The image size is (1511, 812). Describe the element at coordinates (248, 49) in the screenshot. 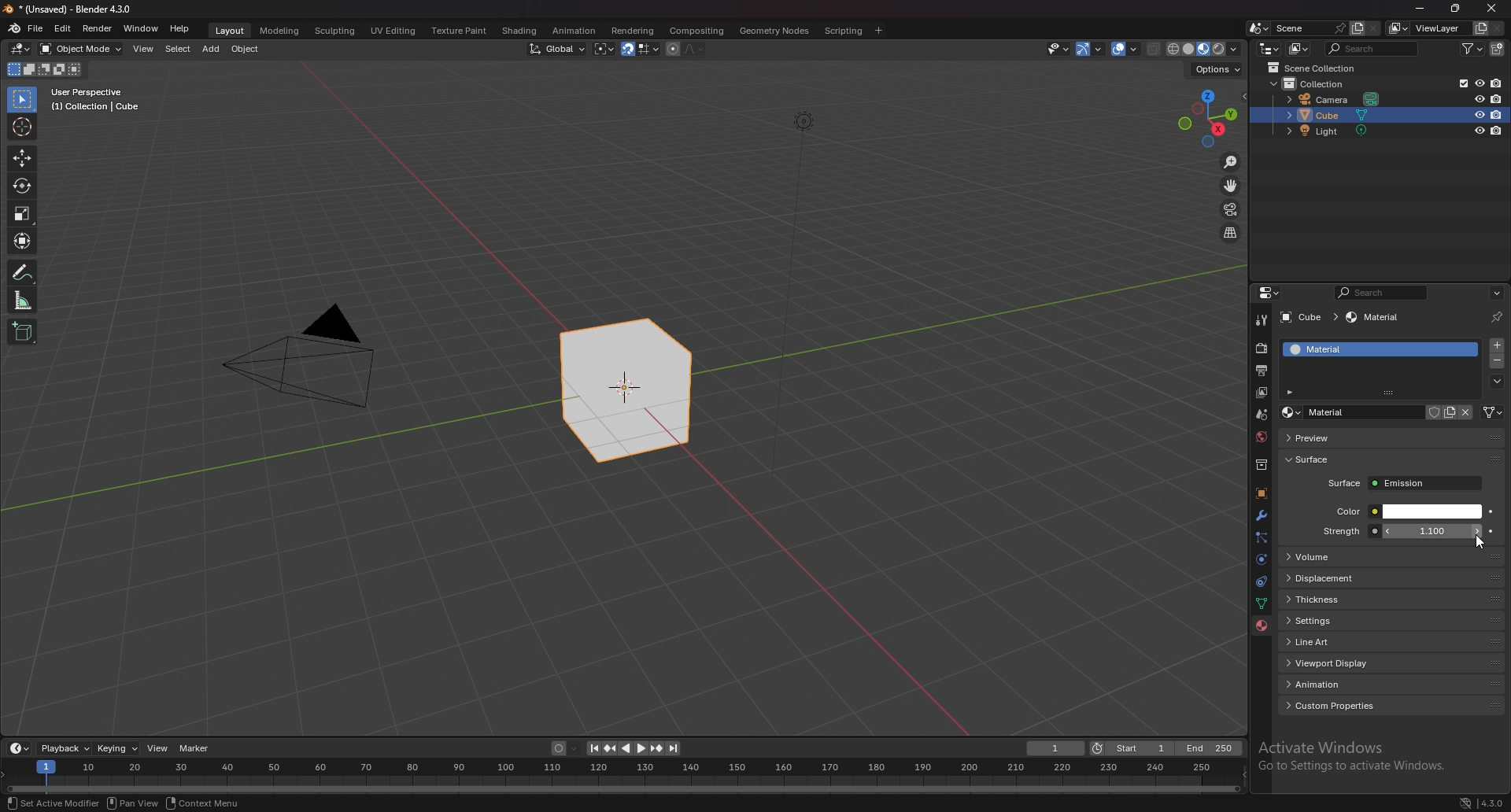

I see `object` at that location.